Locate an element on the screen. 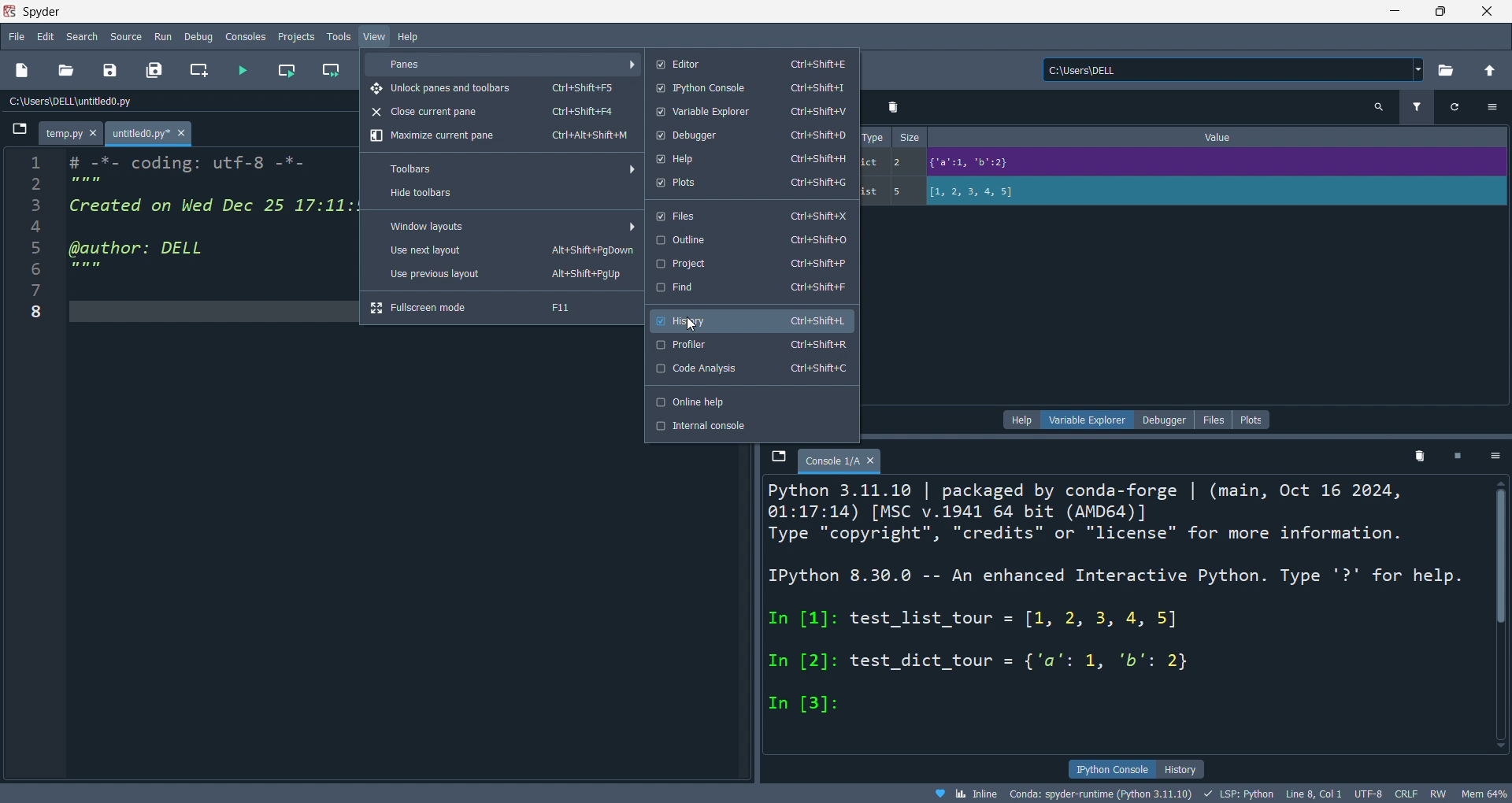 The height and width of the screenshot is (803, 1512). run file is located at coordinates (243, 71).